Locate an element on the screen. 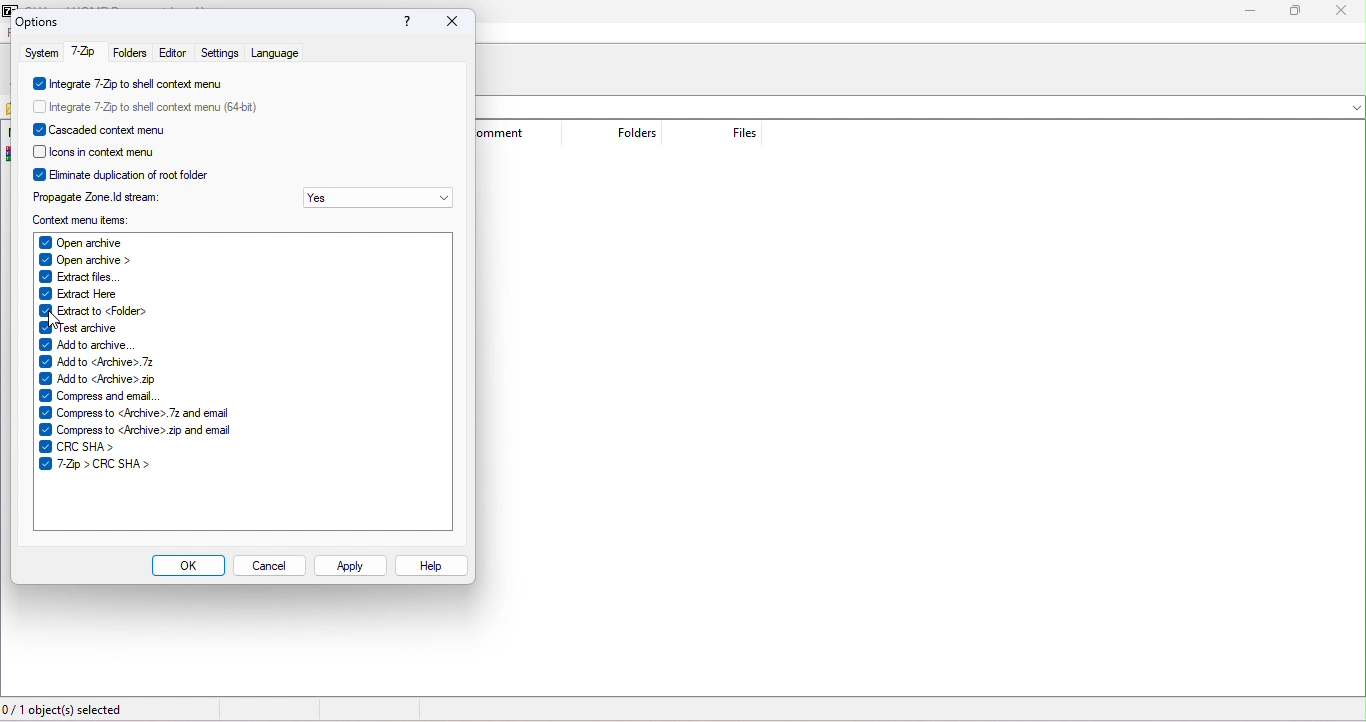  language is located at coordinates (274, 52).